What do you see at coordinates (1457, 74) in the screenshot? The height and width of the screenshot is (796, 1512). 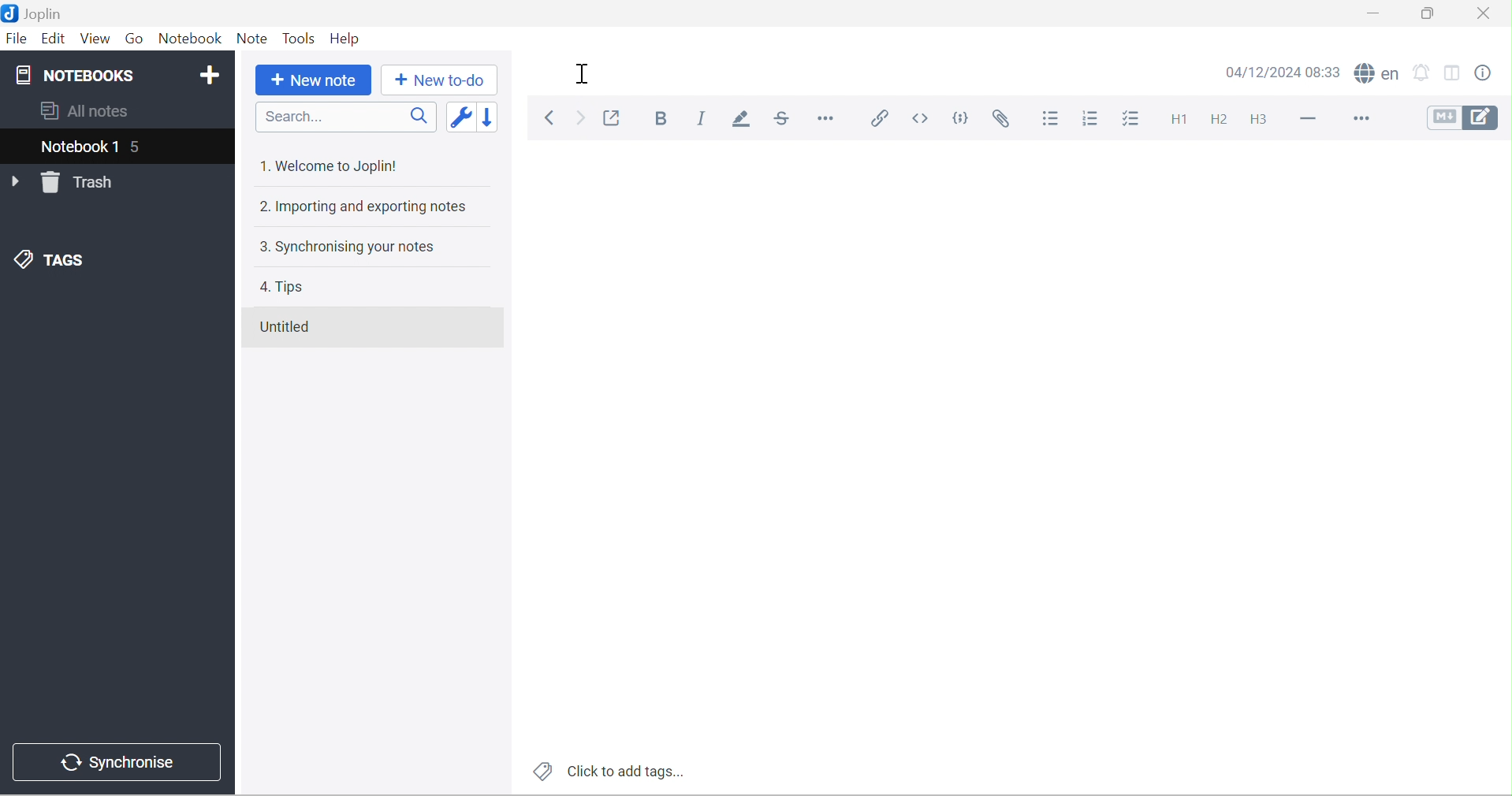 I see `Toggle editor layouts` at bounding box center [1457, 74].